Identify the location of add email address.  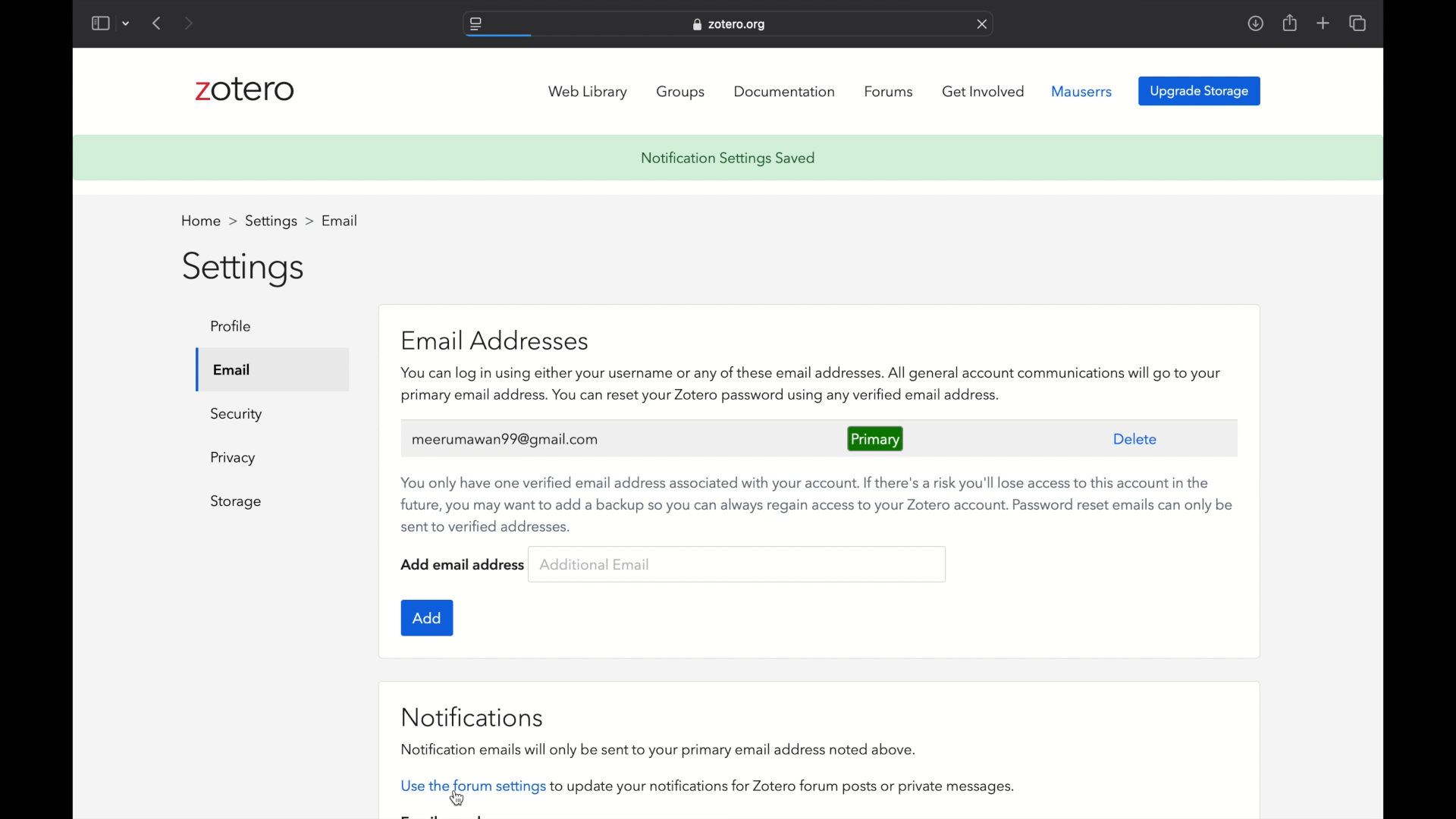
(463, 563).